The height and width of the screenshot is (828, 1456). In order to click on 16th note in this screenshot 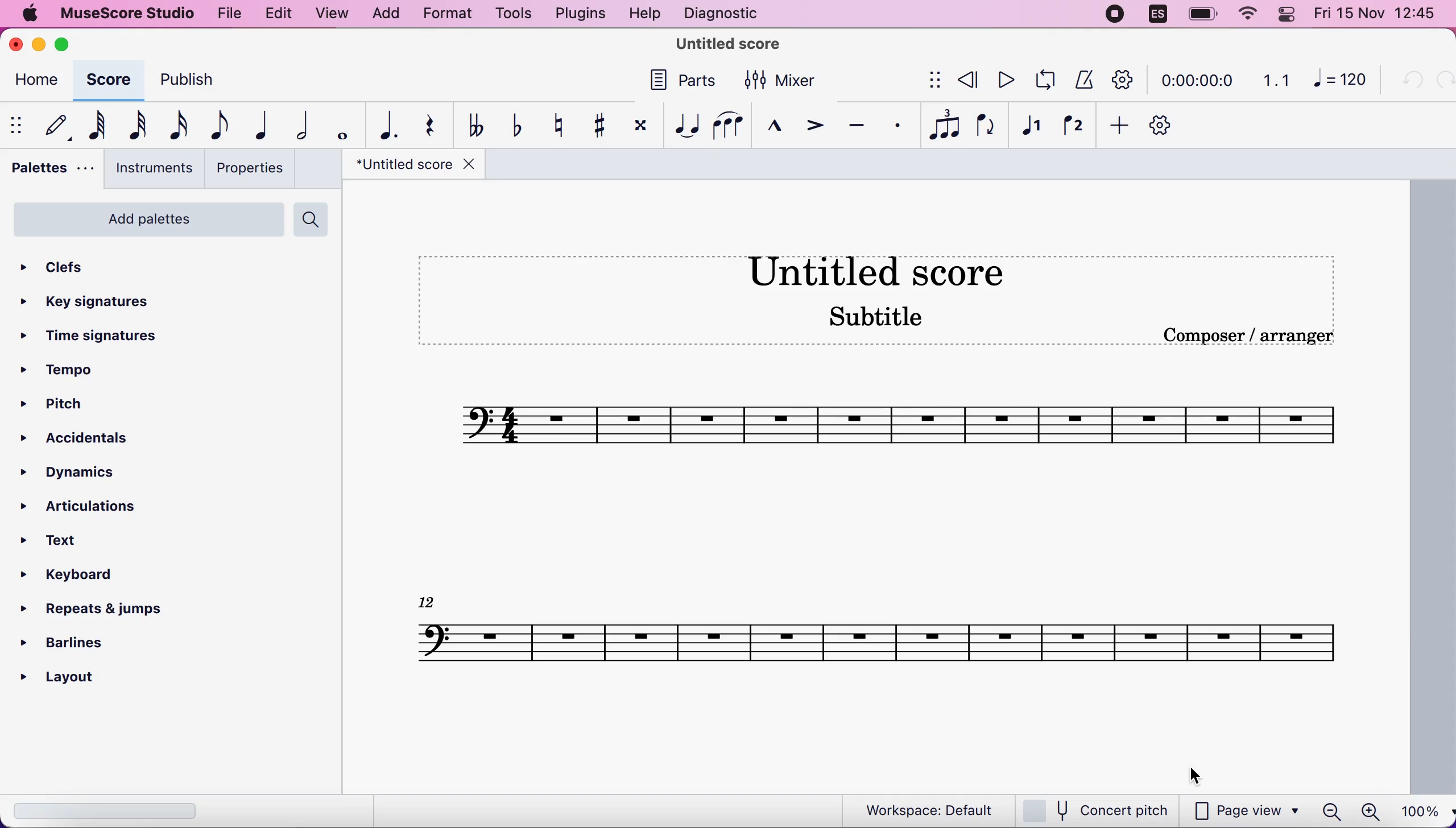, I will do `click(176, 124)`.